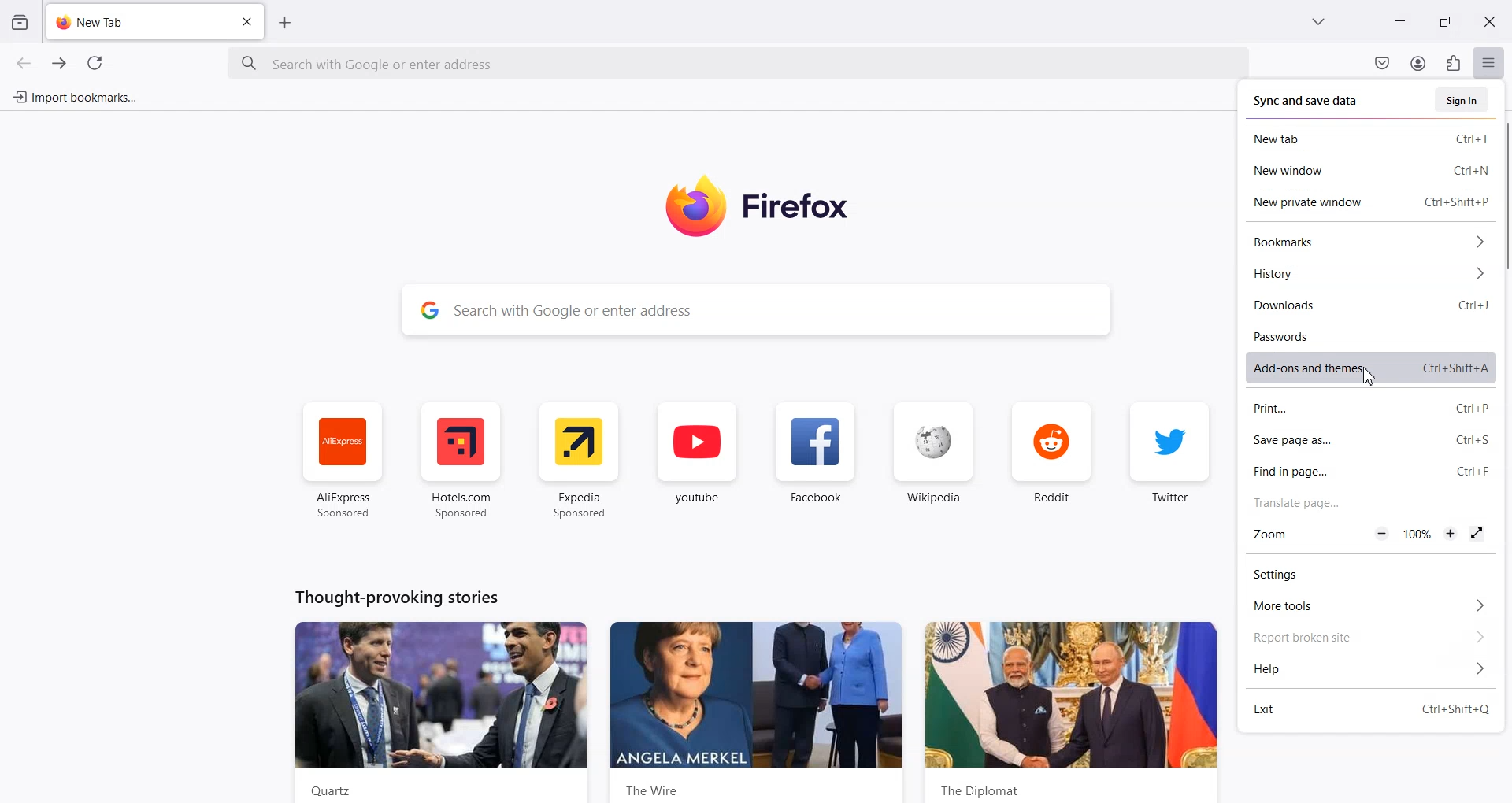 The height and width of the screenshot is (803, 1512). I want to click on Zoom, so click(1274, 534).